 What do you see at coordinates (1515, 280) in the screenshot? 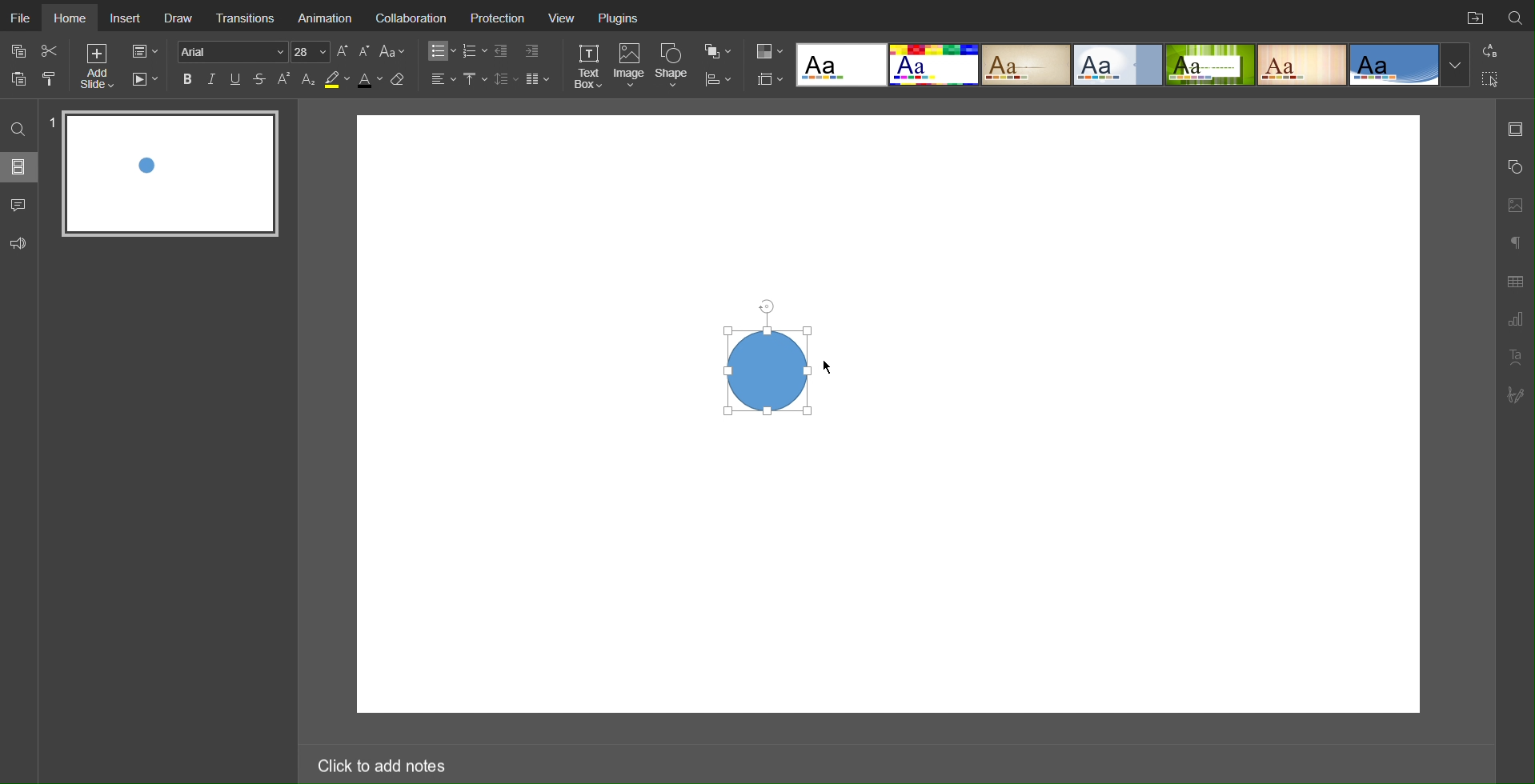
I see `Table Settings` at bounding box center [1515, 280].